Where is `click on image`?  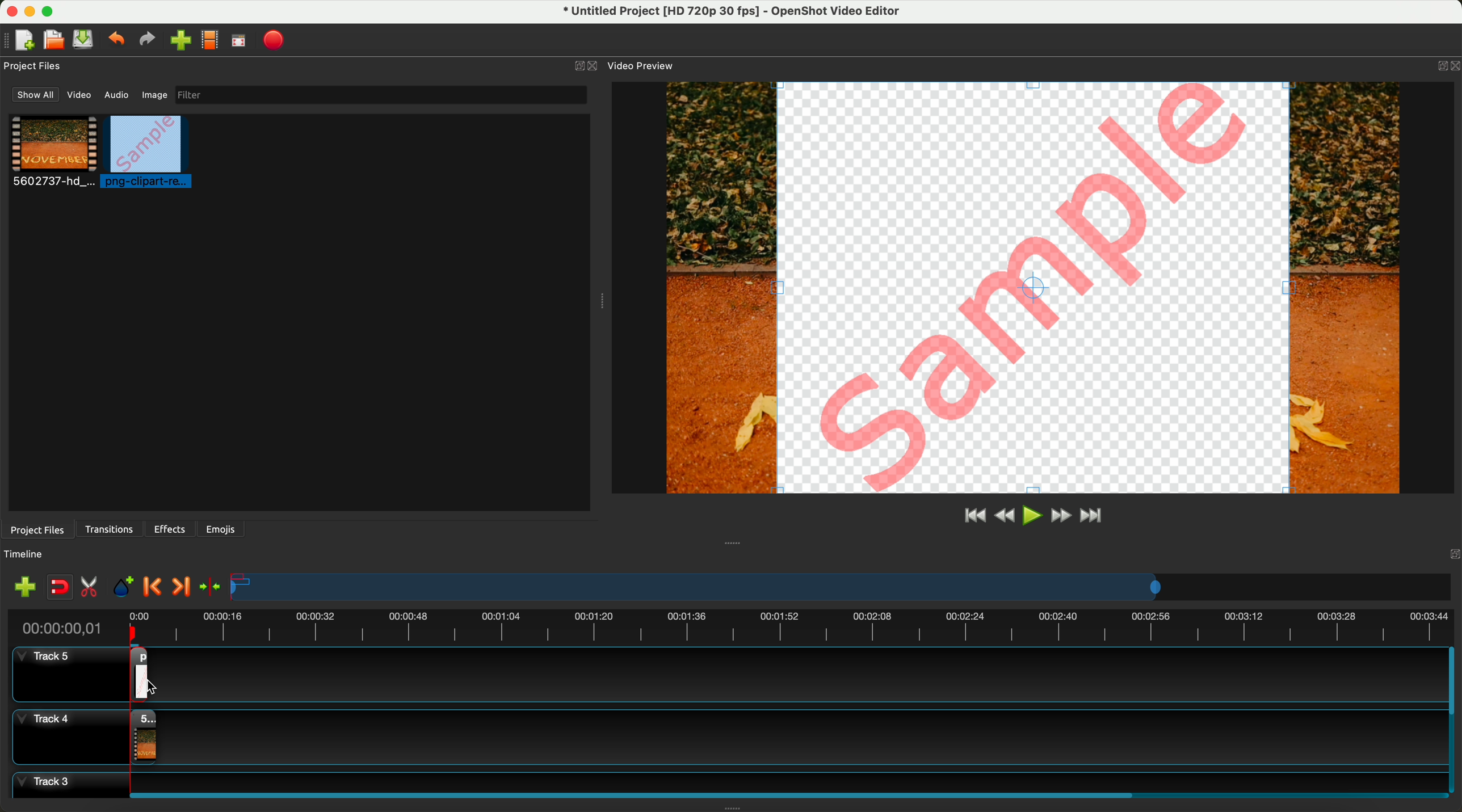
click on image is located at coordinates (150, 153).